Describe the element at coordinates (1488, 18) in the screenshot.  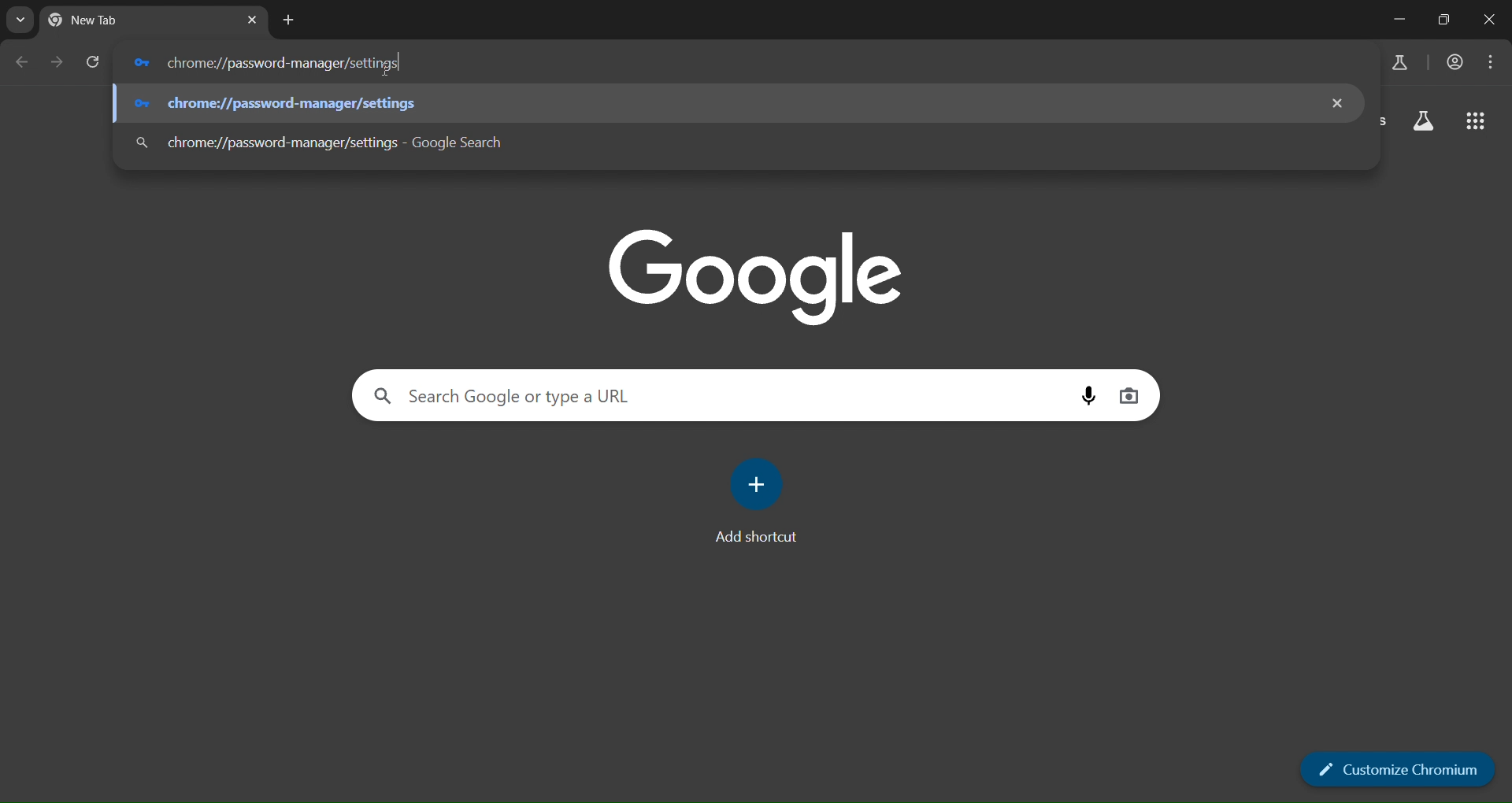
I see `close` at that location.